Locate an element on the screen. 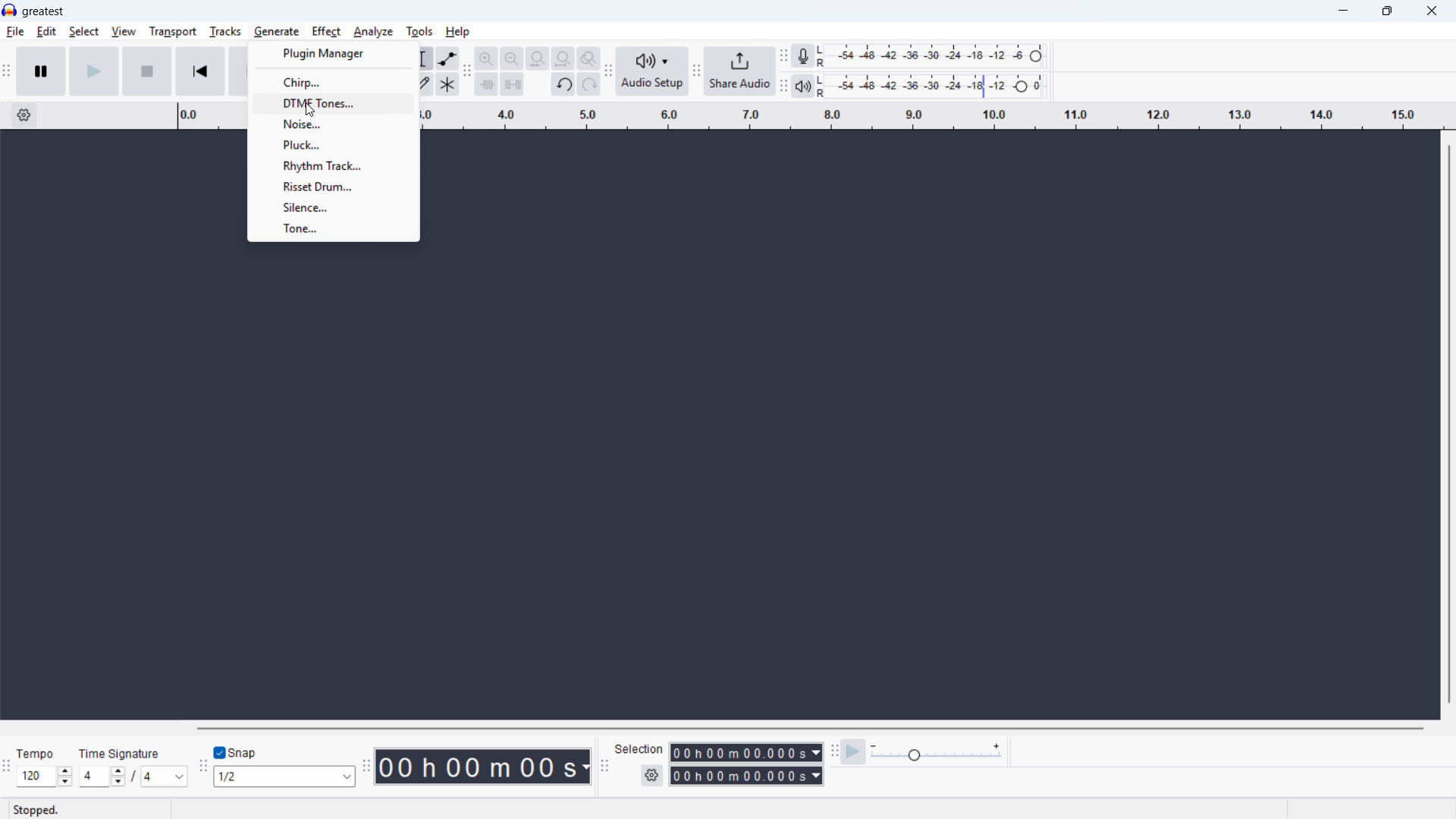 The height and width of the screenshot is (819, 1456). stop is located at coordinates (147, 71).